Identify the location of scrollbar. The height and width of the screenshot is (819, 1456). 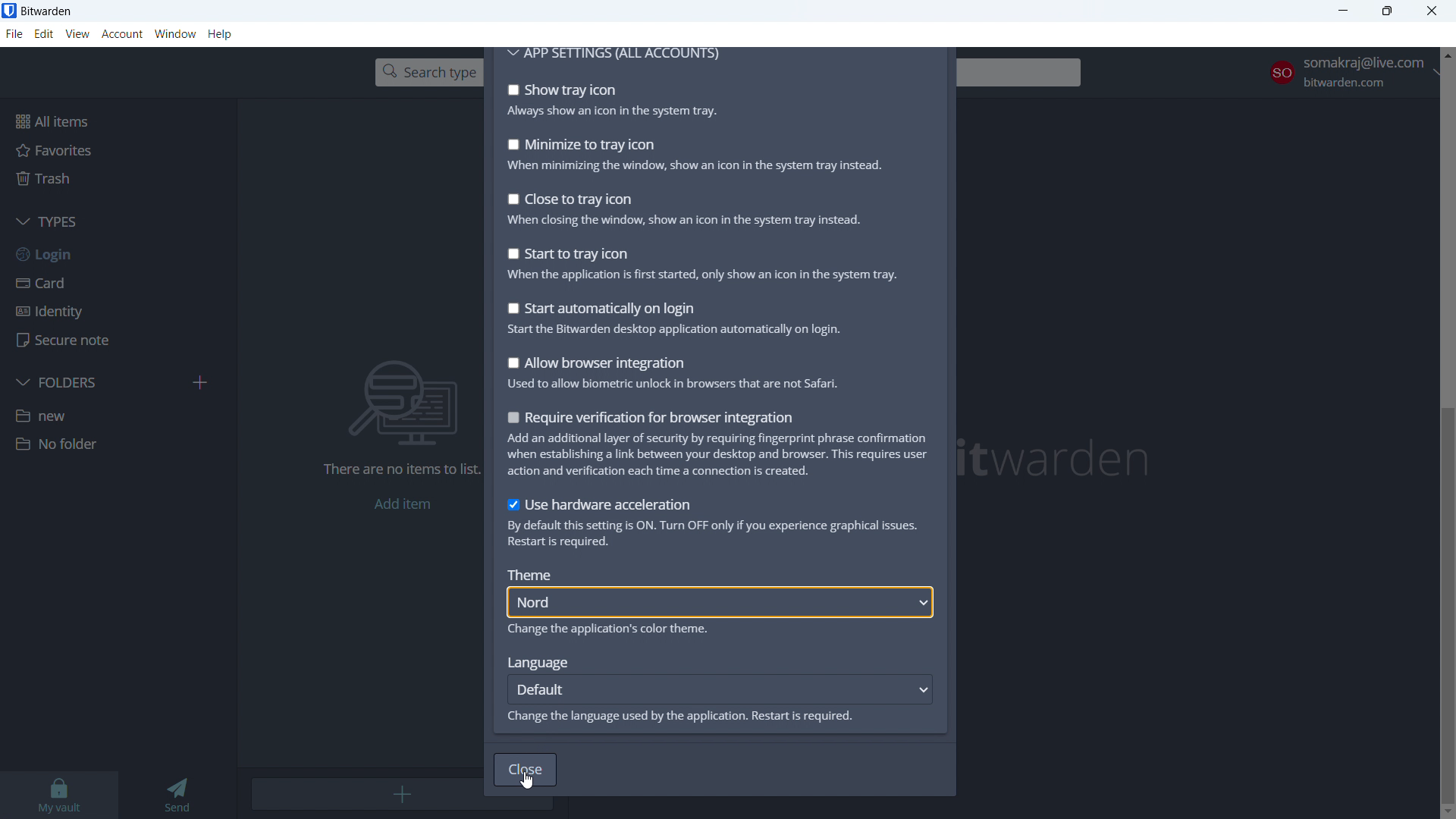
(1447, 605).